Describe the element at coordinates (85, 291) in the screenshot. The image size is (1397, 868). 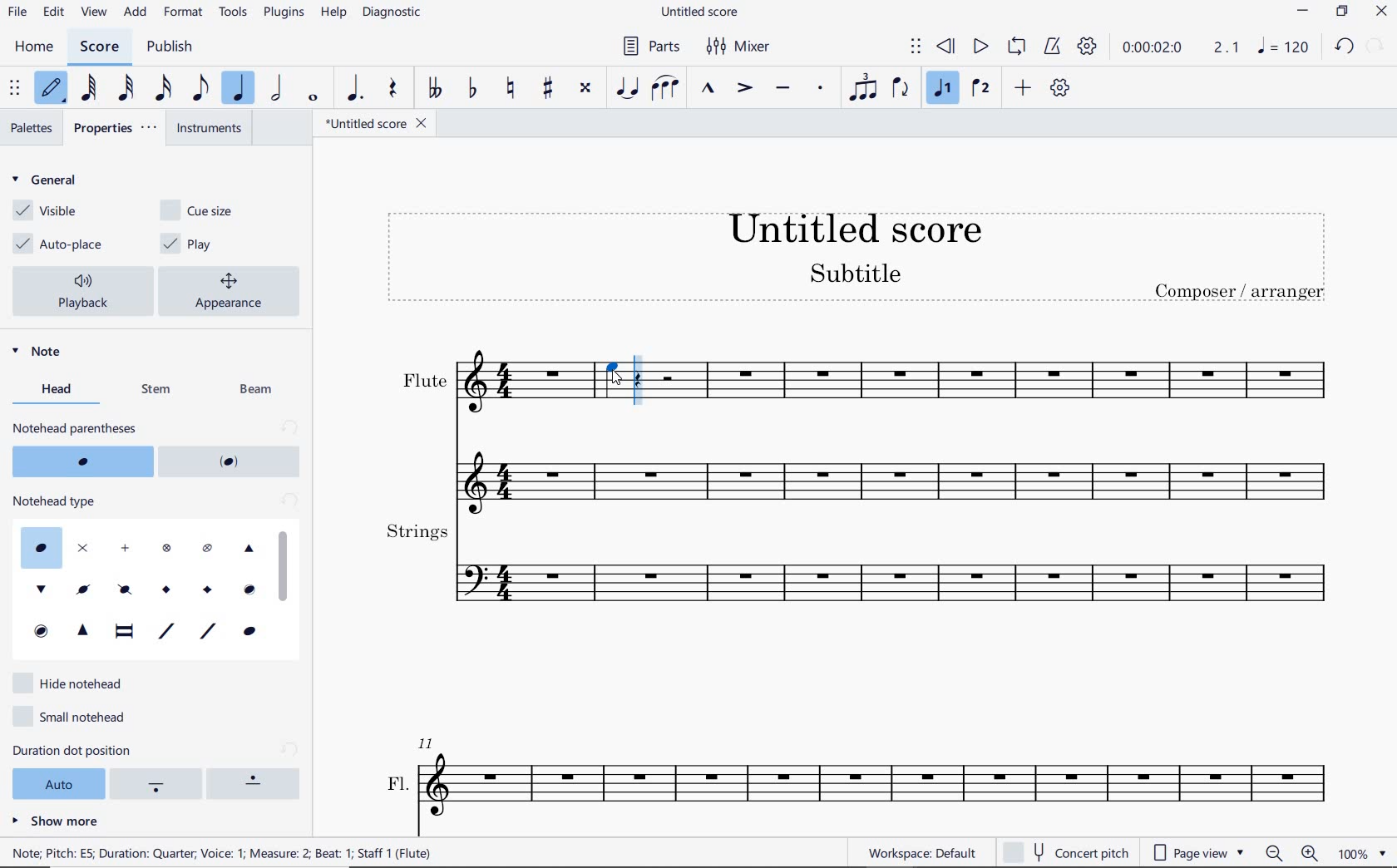
I see `PLAYBACK` at that location.